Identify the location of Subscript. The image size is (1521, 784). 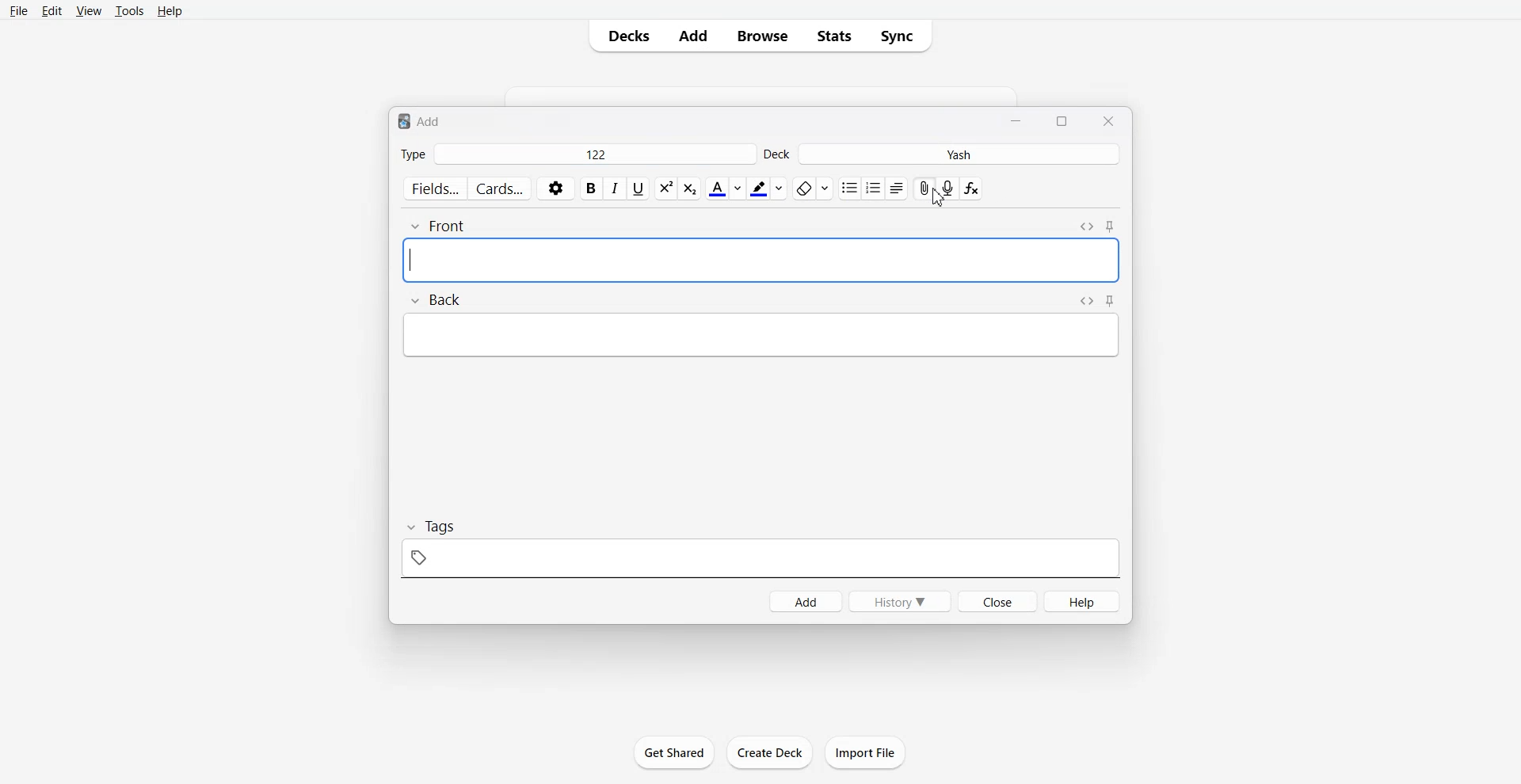
(665, 188).